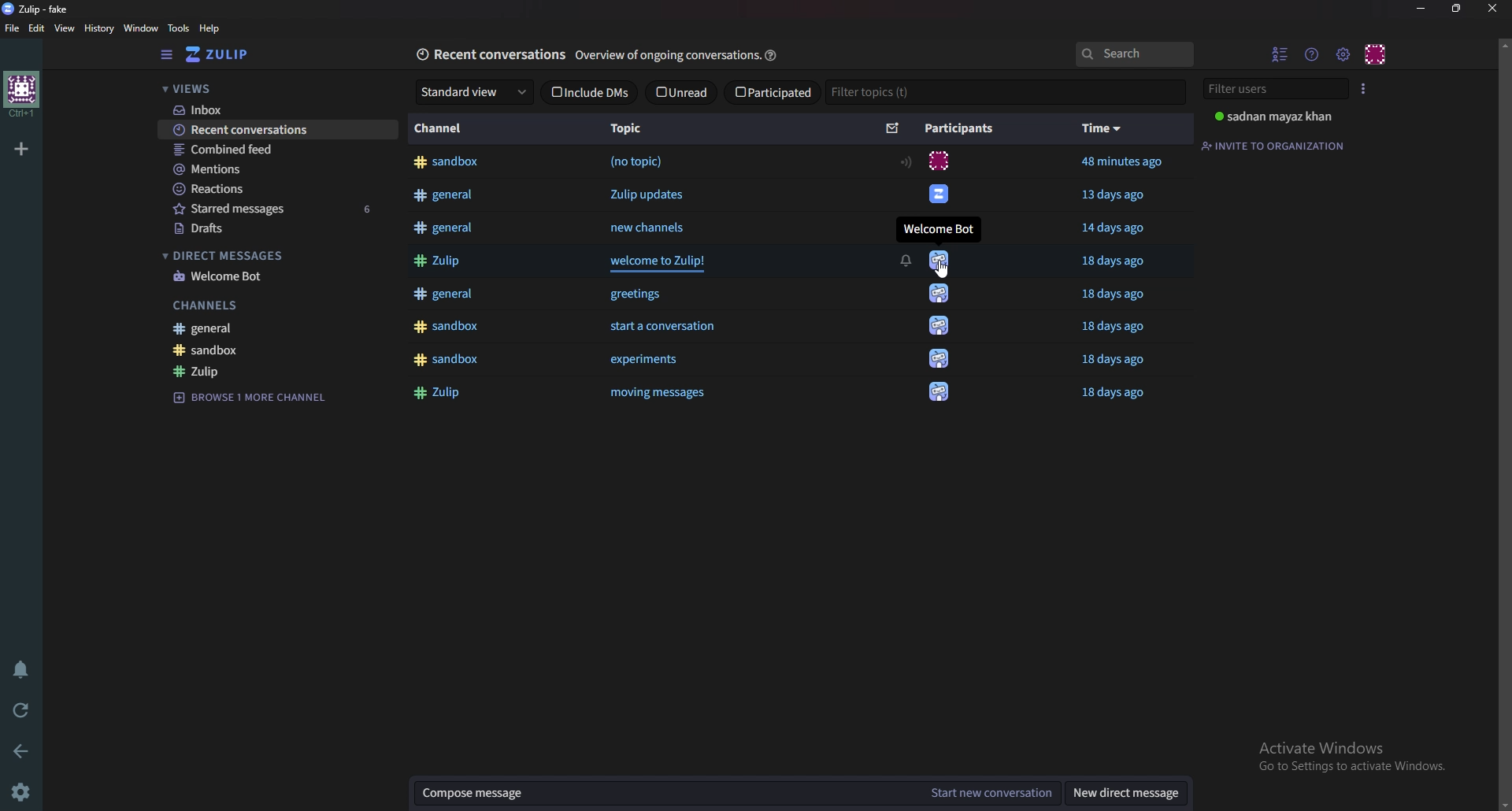 The width and height of the screenshot is (1512, 811). What do you see at coordinates (937, 395) in the screenshot?
I see `icon` at bounding box center [937, 395].